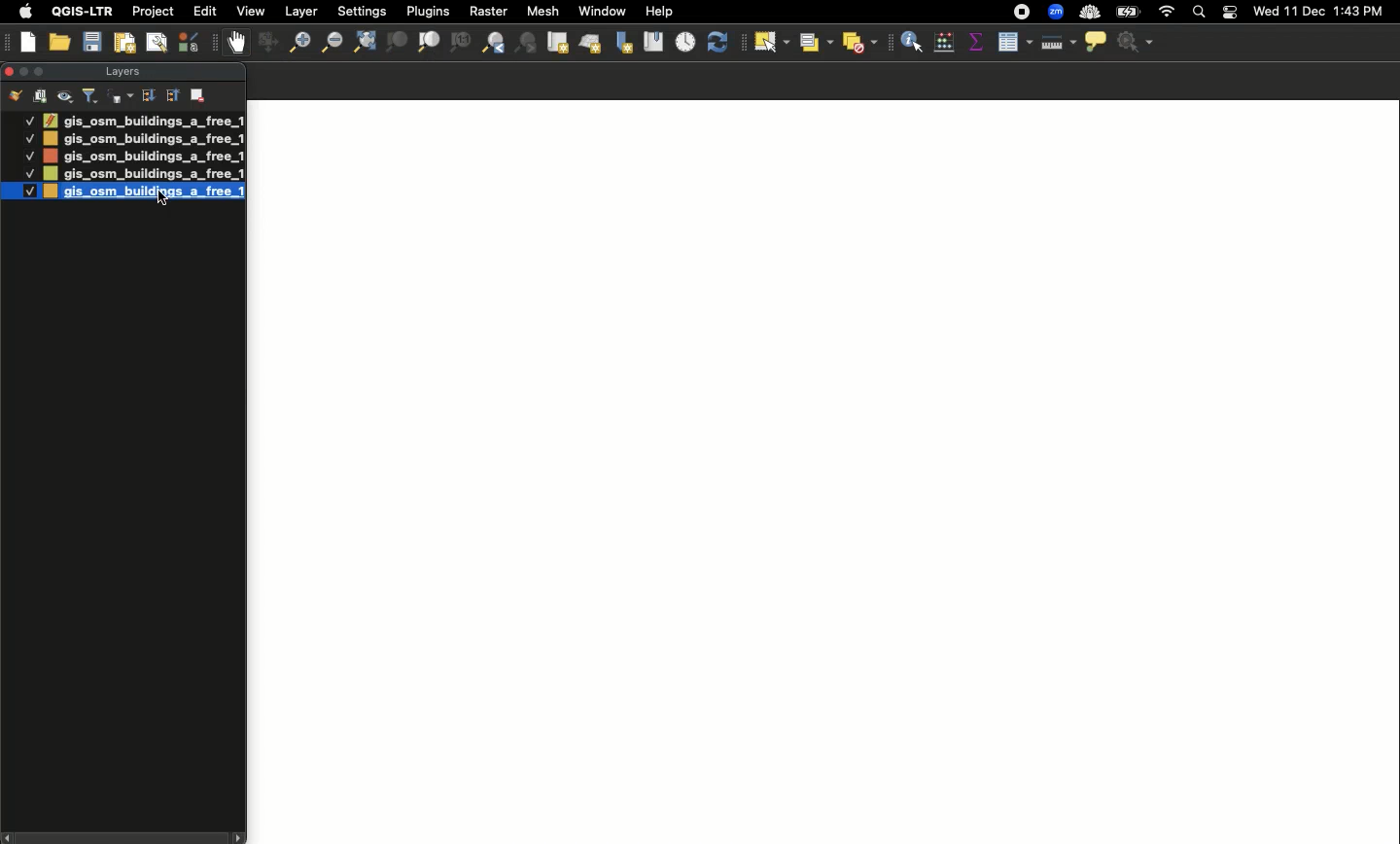 This screenshot has height=844, width=1400. What do you see at coordinates (1197, 14) in the screenshot?
I see `Search` at bounding box center [1197, 14].